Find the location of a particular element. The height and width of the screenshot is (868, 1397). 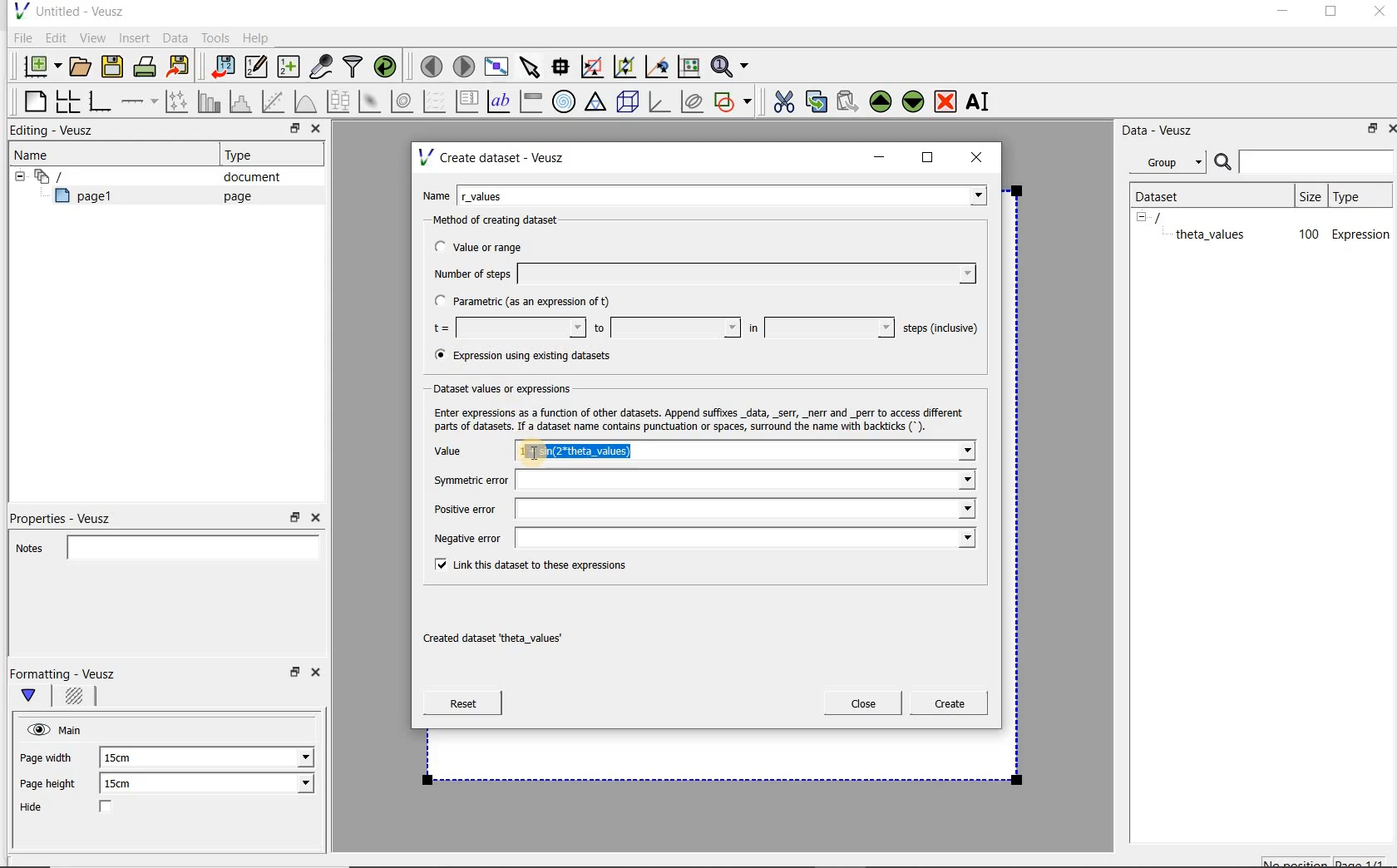

document is located at coordinates (245, 177).